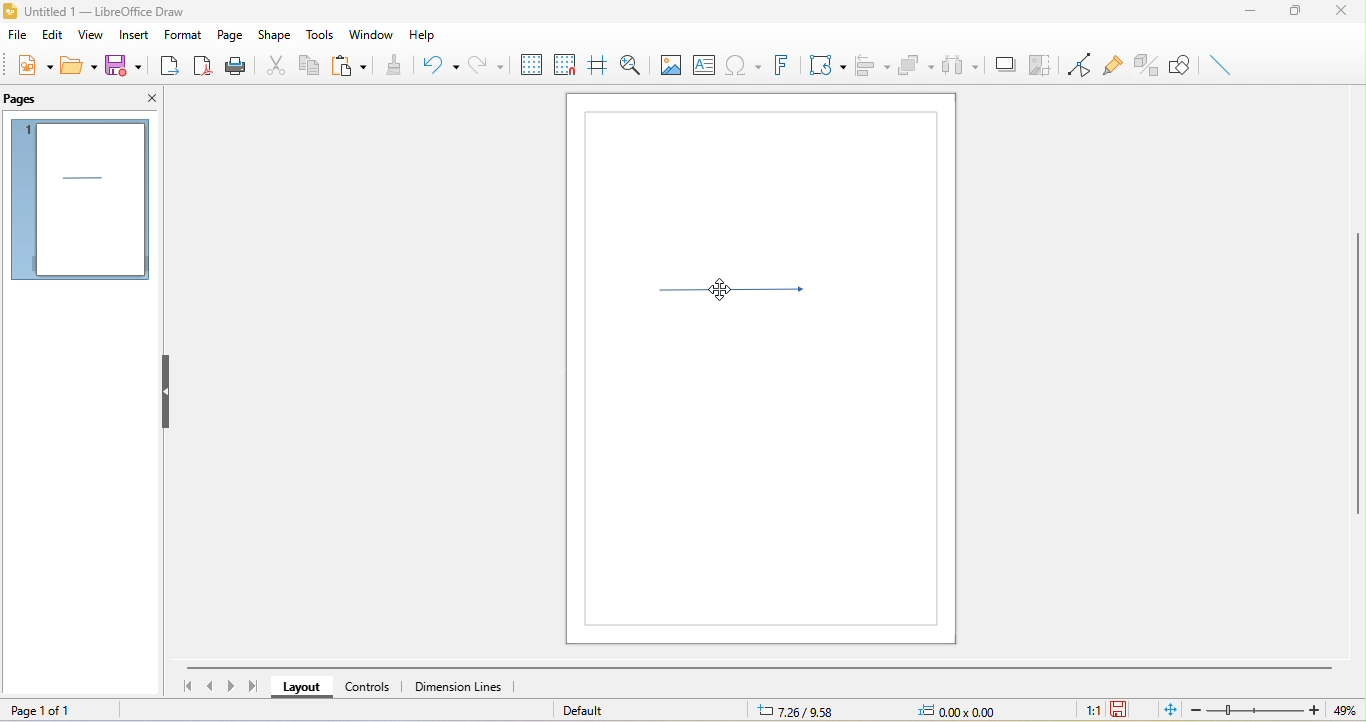 The width and height of the screenshot is (1366, 722). Describe the element at coordinates (808, 711) in the screenshot. I see `7.26/9.58` at that location.